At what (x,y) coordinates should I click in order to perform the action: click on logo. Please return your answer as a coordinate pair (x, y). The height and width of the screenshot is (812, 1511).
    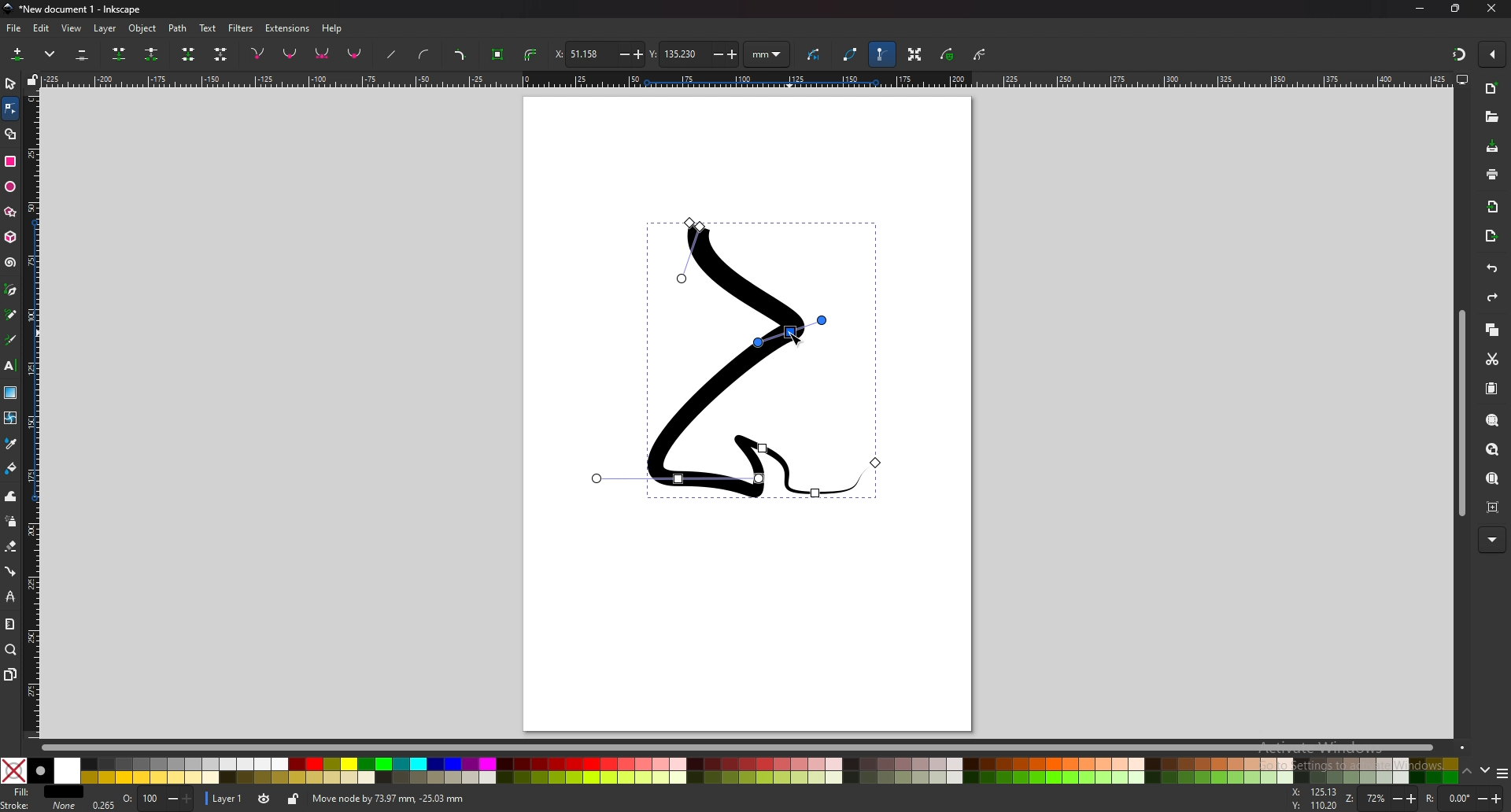
    Looking at the image, I should click on (9, 9).